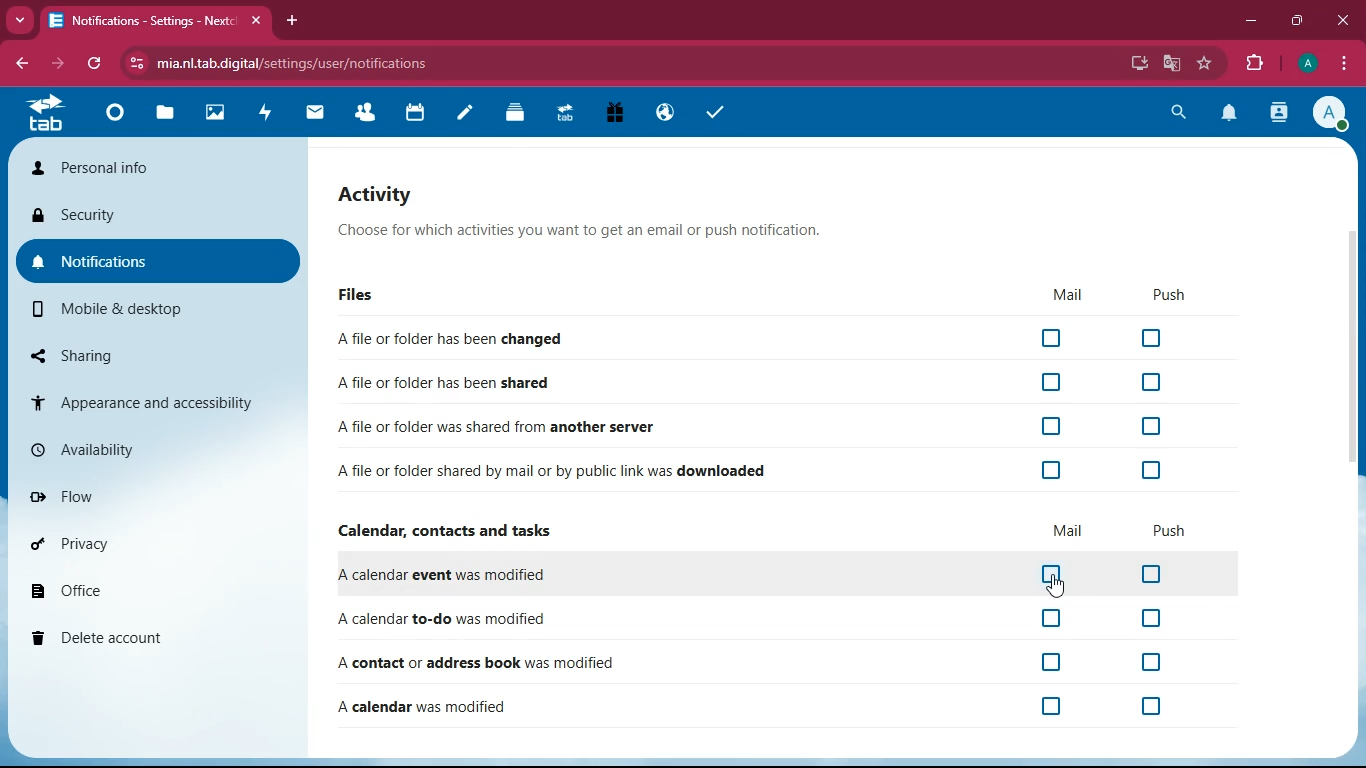 The image size is (1366, 768). What do you see at coordinates (160, 167) in the screenshot?
I see `personal info` at bounding box center [160, 167].